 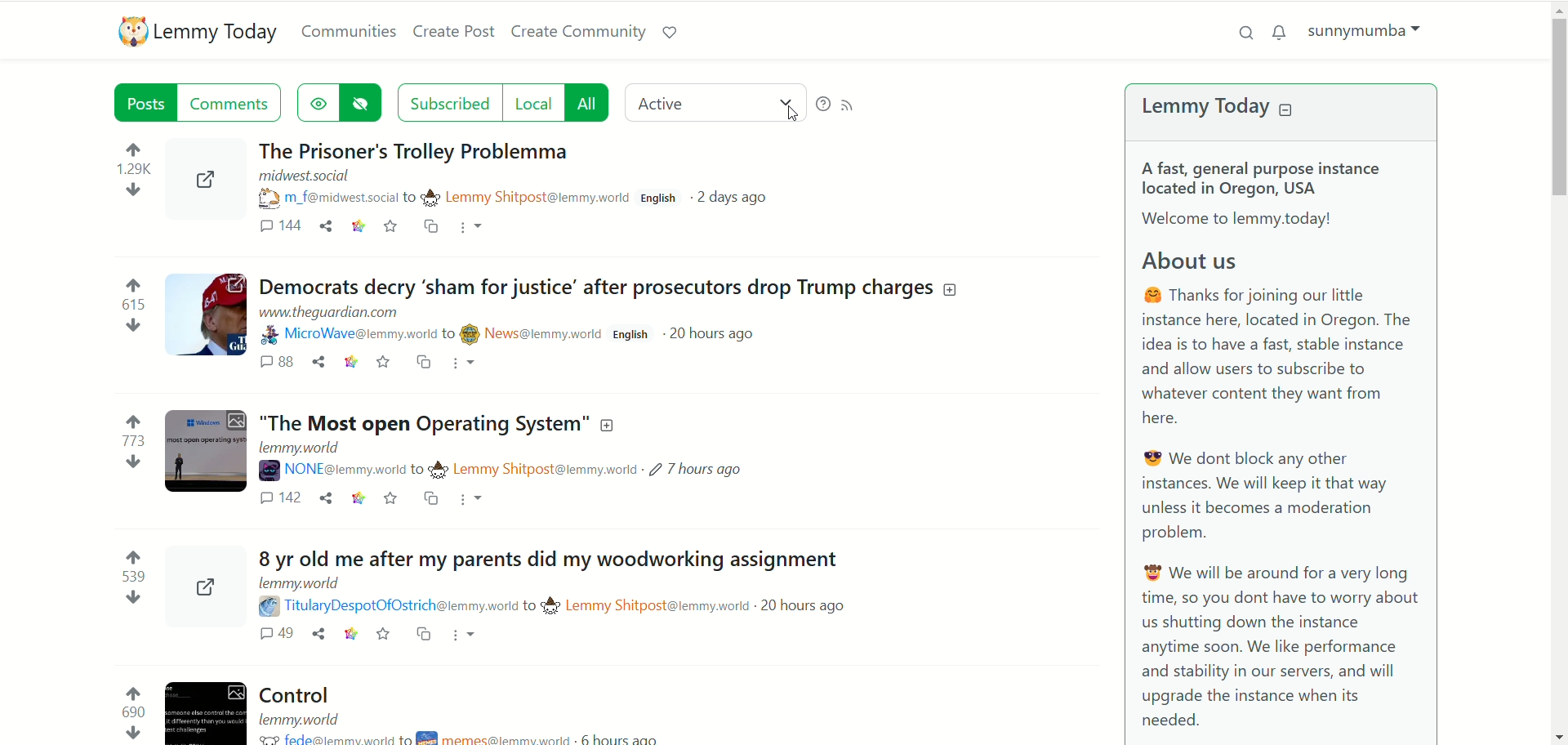 What do you see at coordinates (698, 469) in the screenshot?
I see `7 hours ago` at bounding box center [698, 469].